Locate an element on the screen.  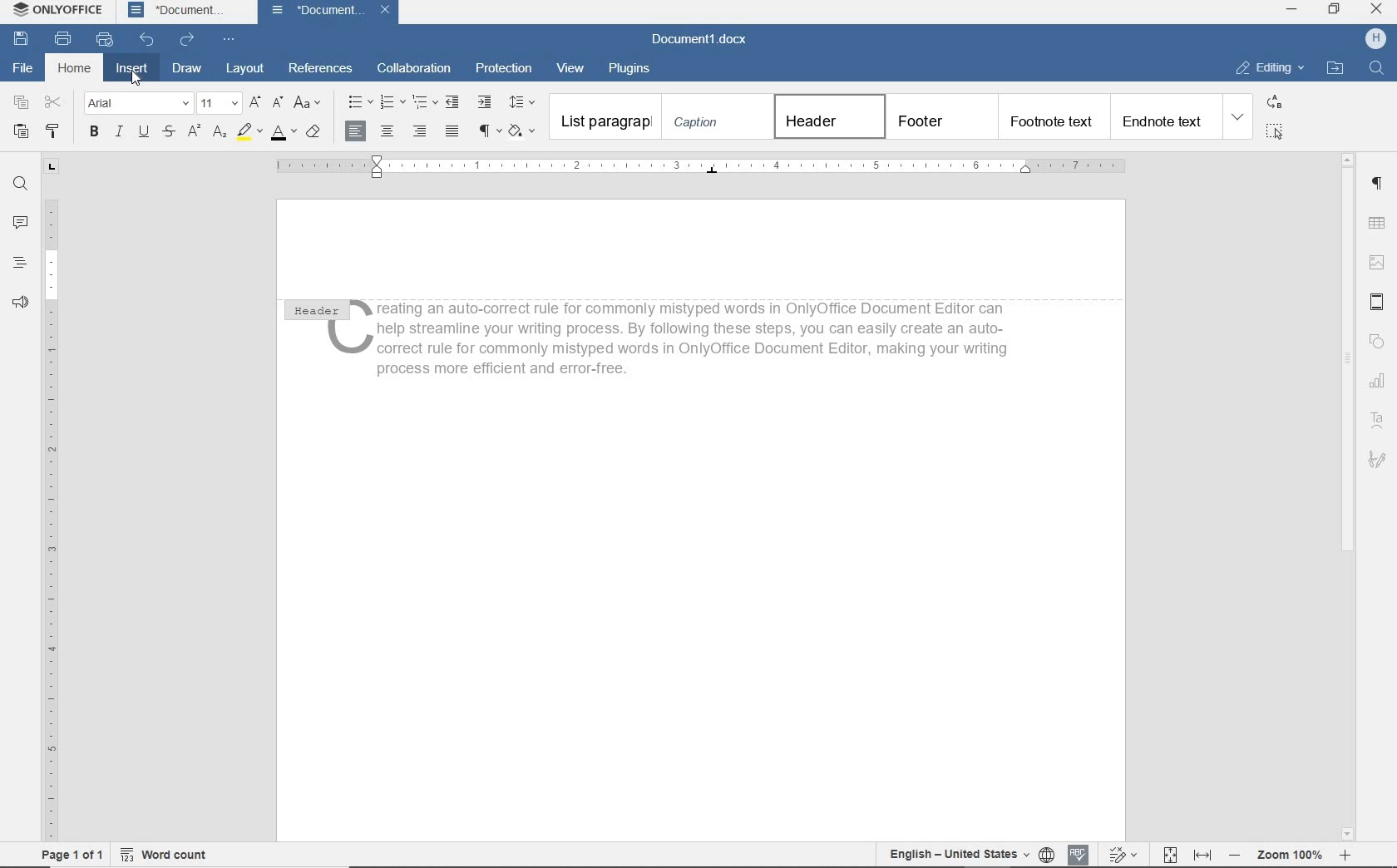
page 1 of 1 is located at coordinates (72, 856).